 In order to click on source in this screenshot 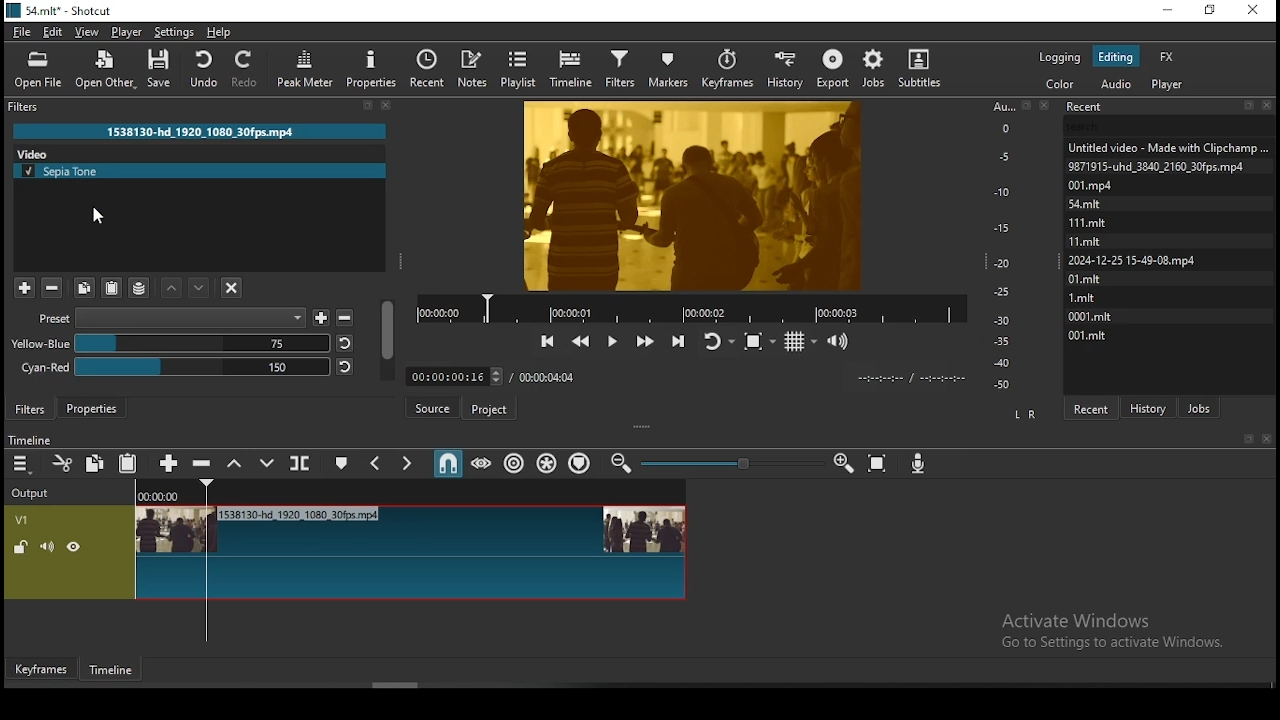, I will do `click(433, 408)`.